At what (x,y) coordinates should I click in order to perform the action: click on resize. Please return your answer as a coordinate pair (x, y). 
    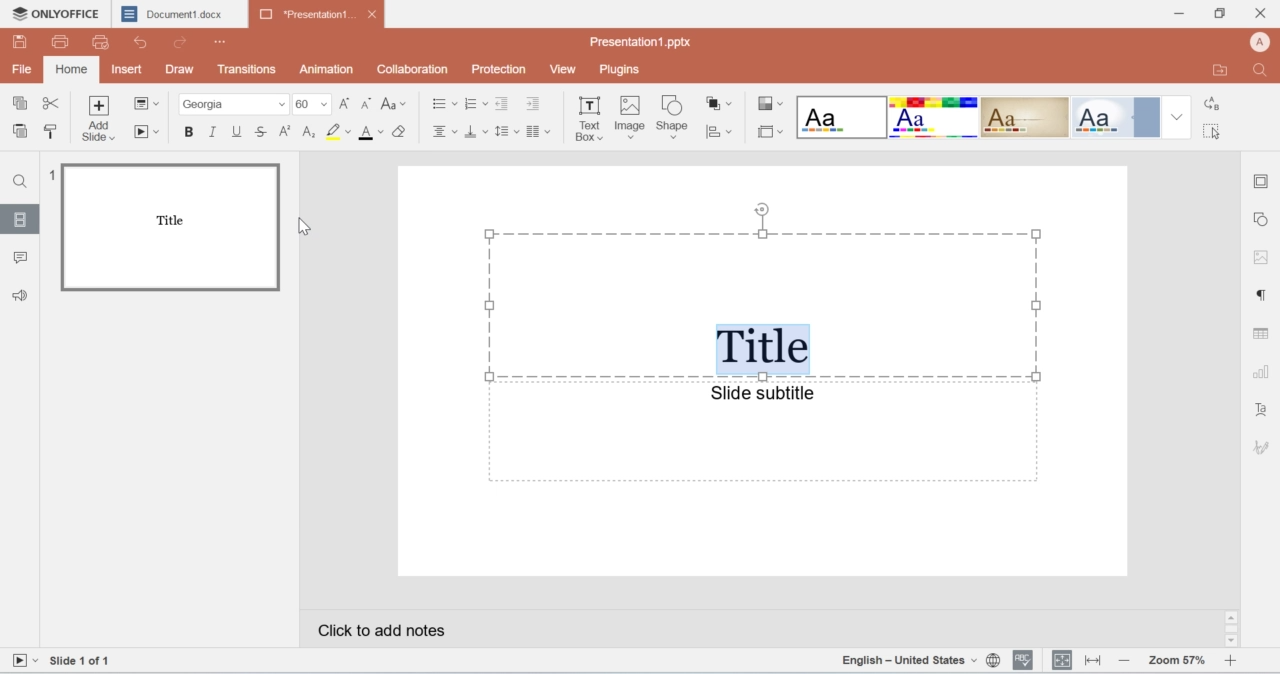
    Looking at the image, I should click on (1091, 662).